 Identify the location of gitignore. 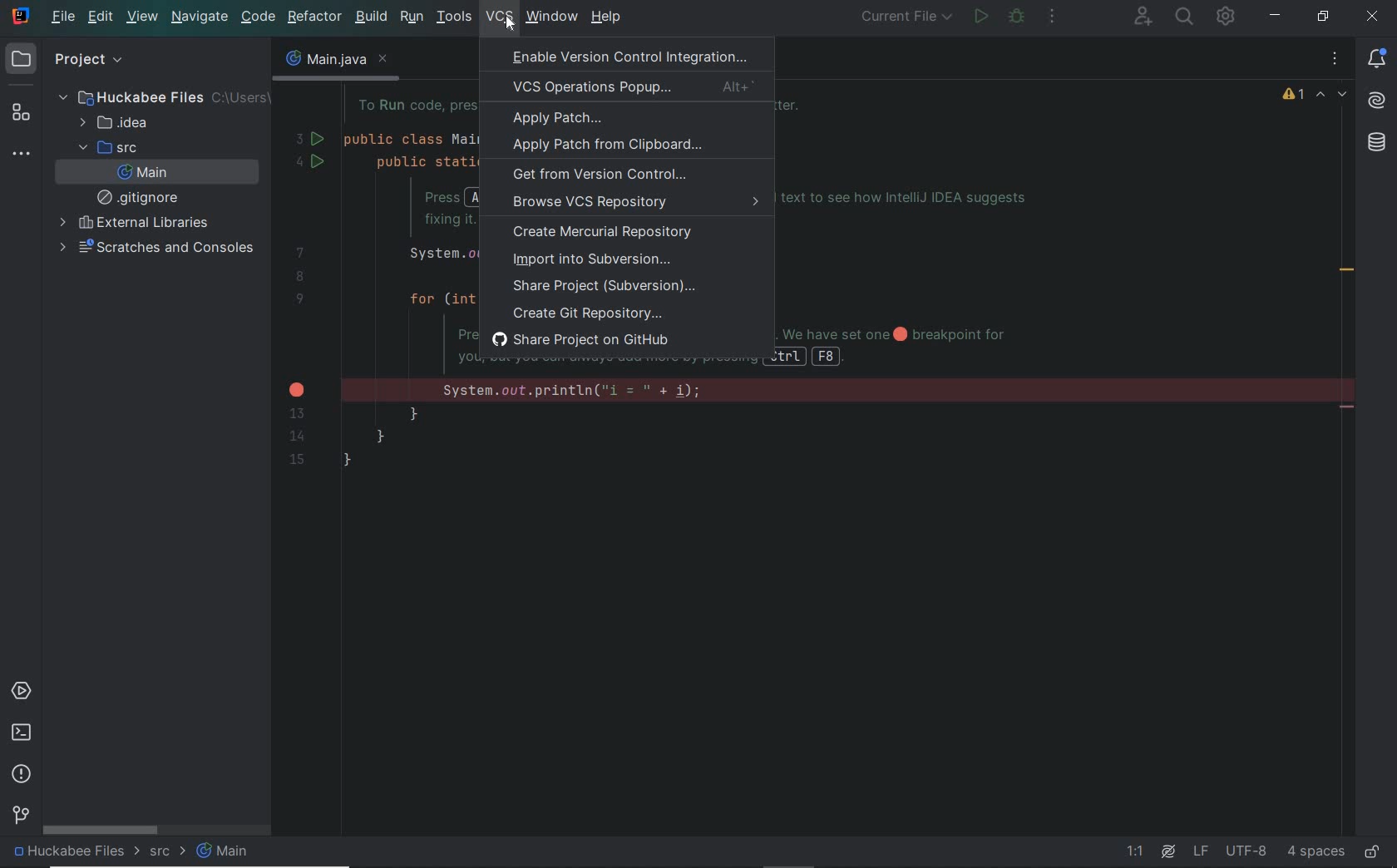
(141, 197).